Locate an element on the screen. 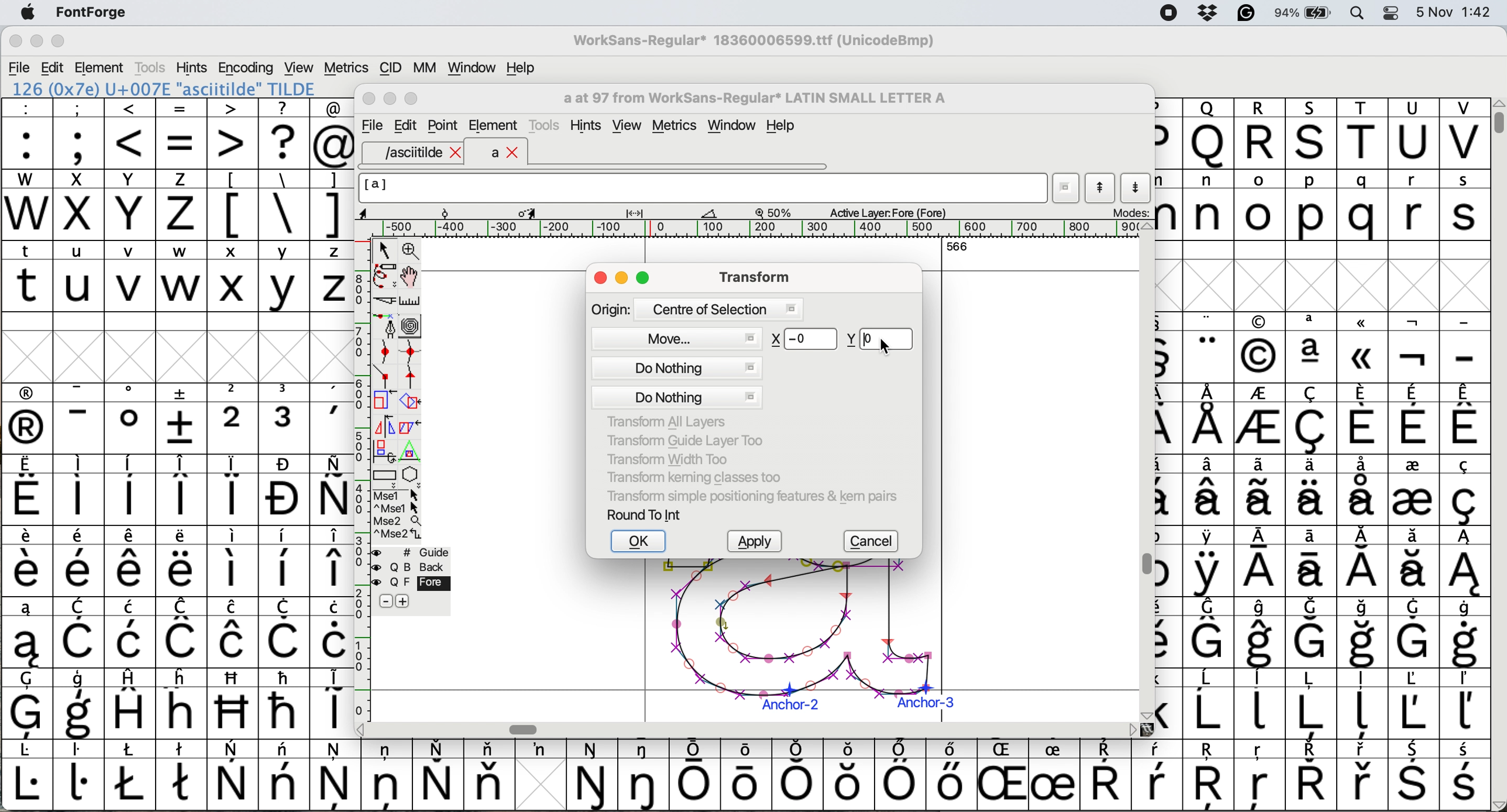 The height and width of the screenshot is (812, 1507). symbol is located at coordinates (284, 703).